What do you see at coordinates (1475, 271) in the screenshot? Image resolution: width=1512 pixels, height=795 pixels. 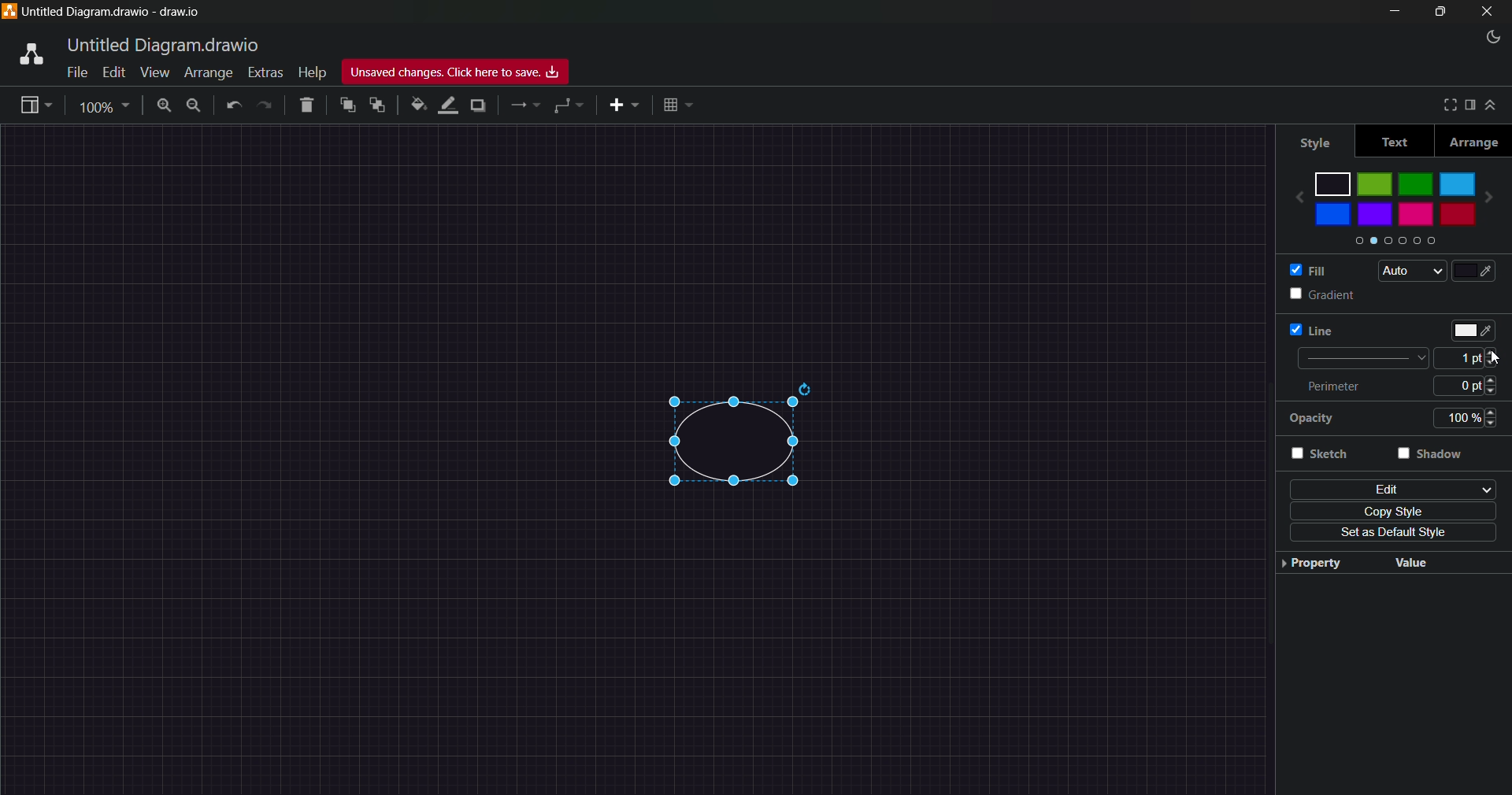 I see `fill shade` at bounding box center [1475, 271].